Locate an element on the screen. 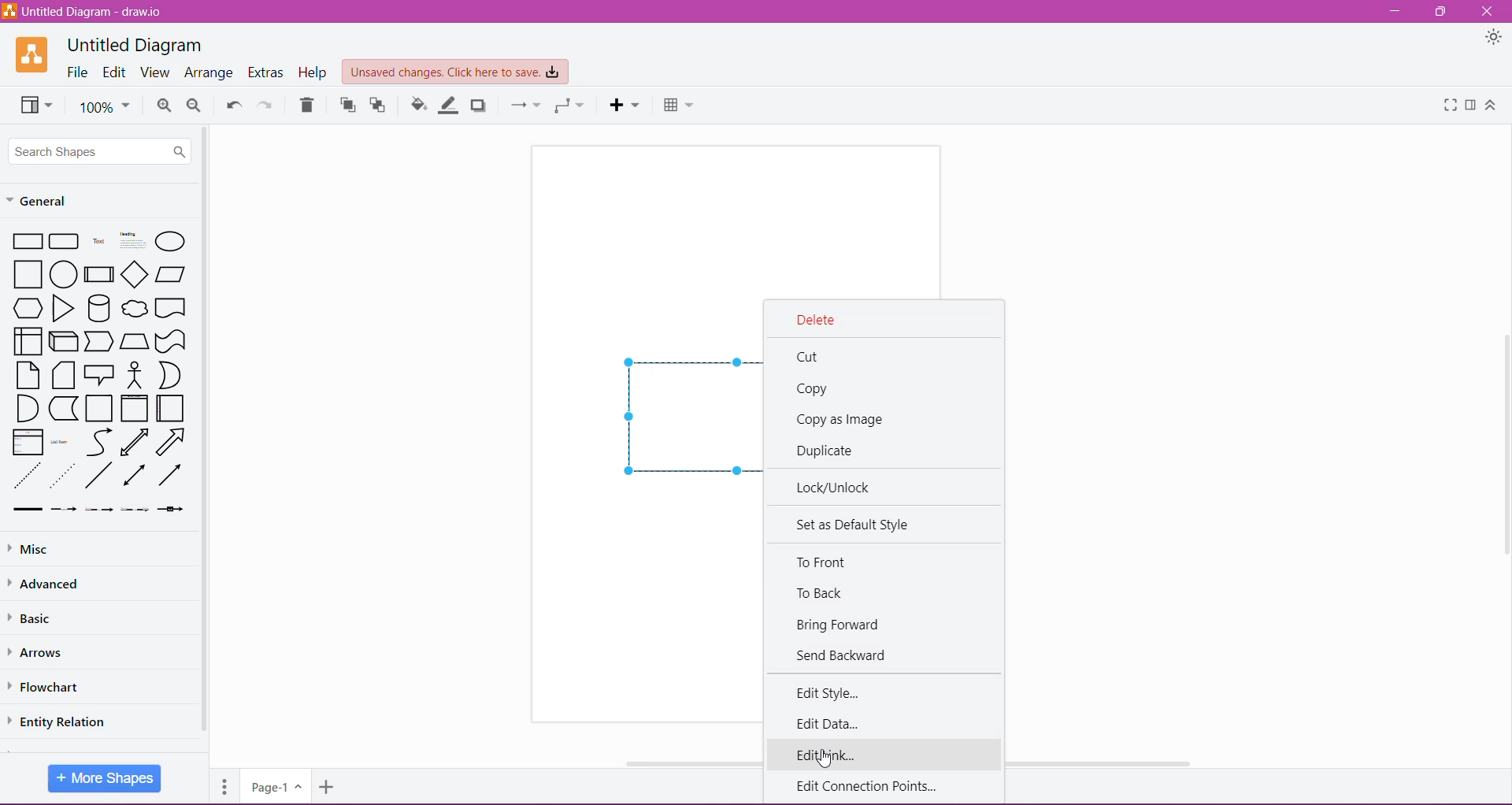  Pages is located at coordinates (225, 786).